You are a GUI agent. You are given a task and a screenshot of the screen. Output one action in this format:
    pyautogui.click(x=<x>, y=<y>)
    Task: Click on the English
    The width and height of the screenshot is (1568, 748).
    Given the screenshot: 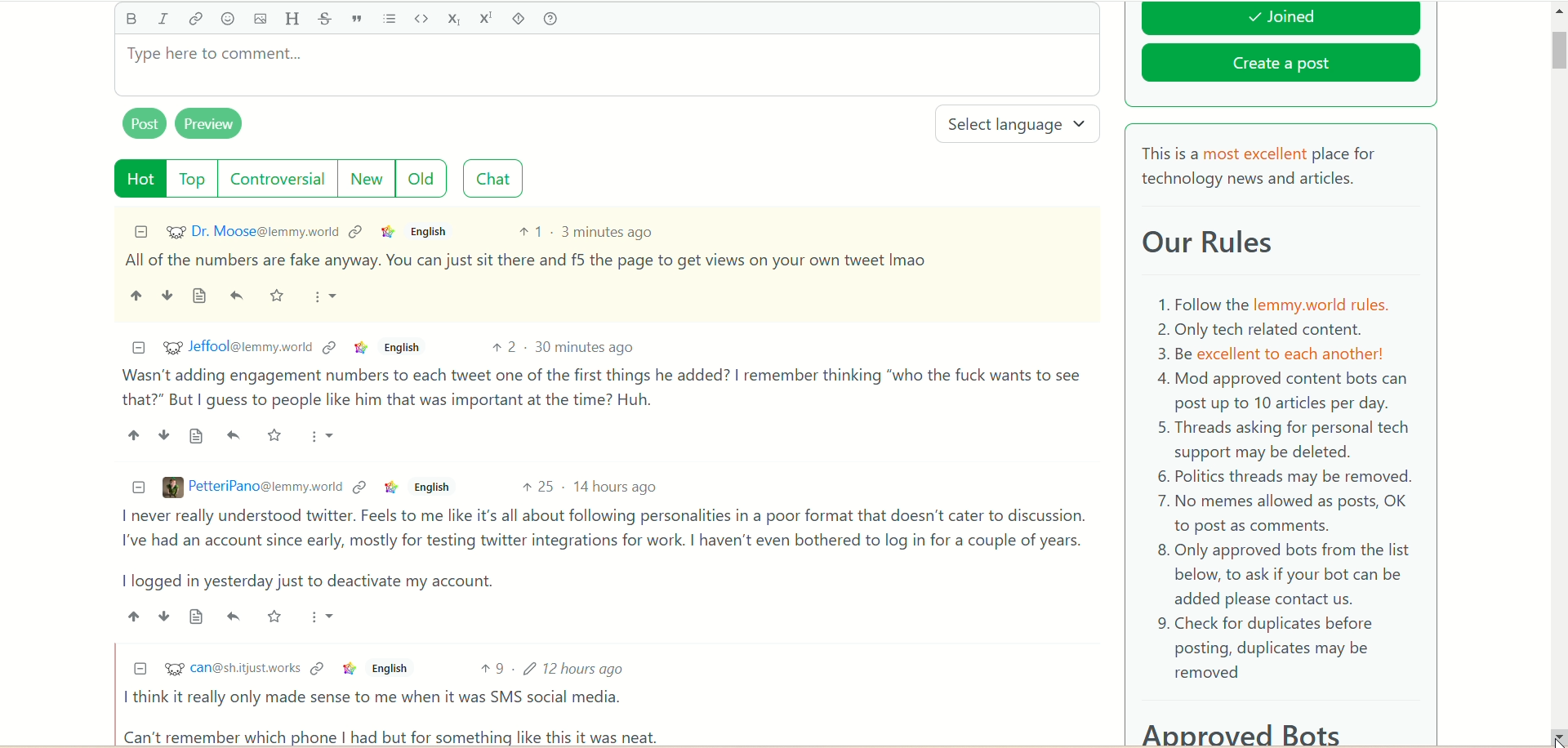 What is the action you would take?
    pyautogui.click(x=401, y=347)
    